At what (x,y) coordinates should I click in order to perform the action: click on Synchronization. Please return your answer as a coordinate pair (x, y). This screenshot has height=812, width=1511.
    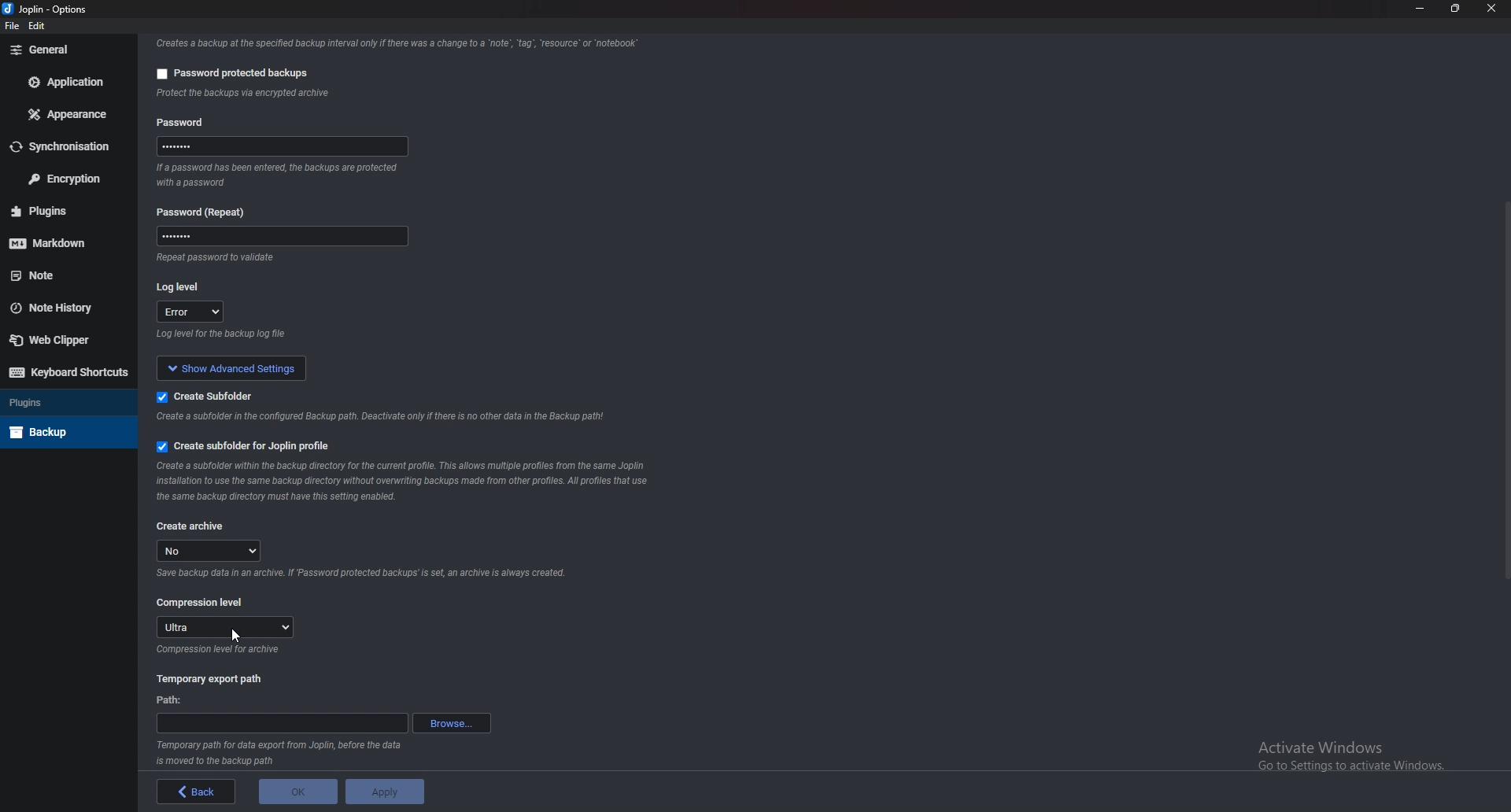
    Looking at the image, I should click on (68, 146).